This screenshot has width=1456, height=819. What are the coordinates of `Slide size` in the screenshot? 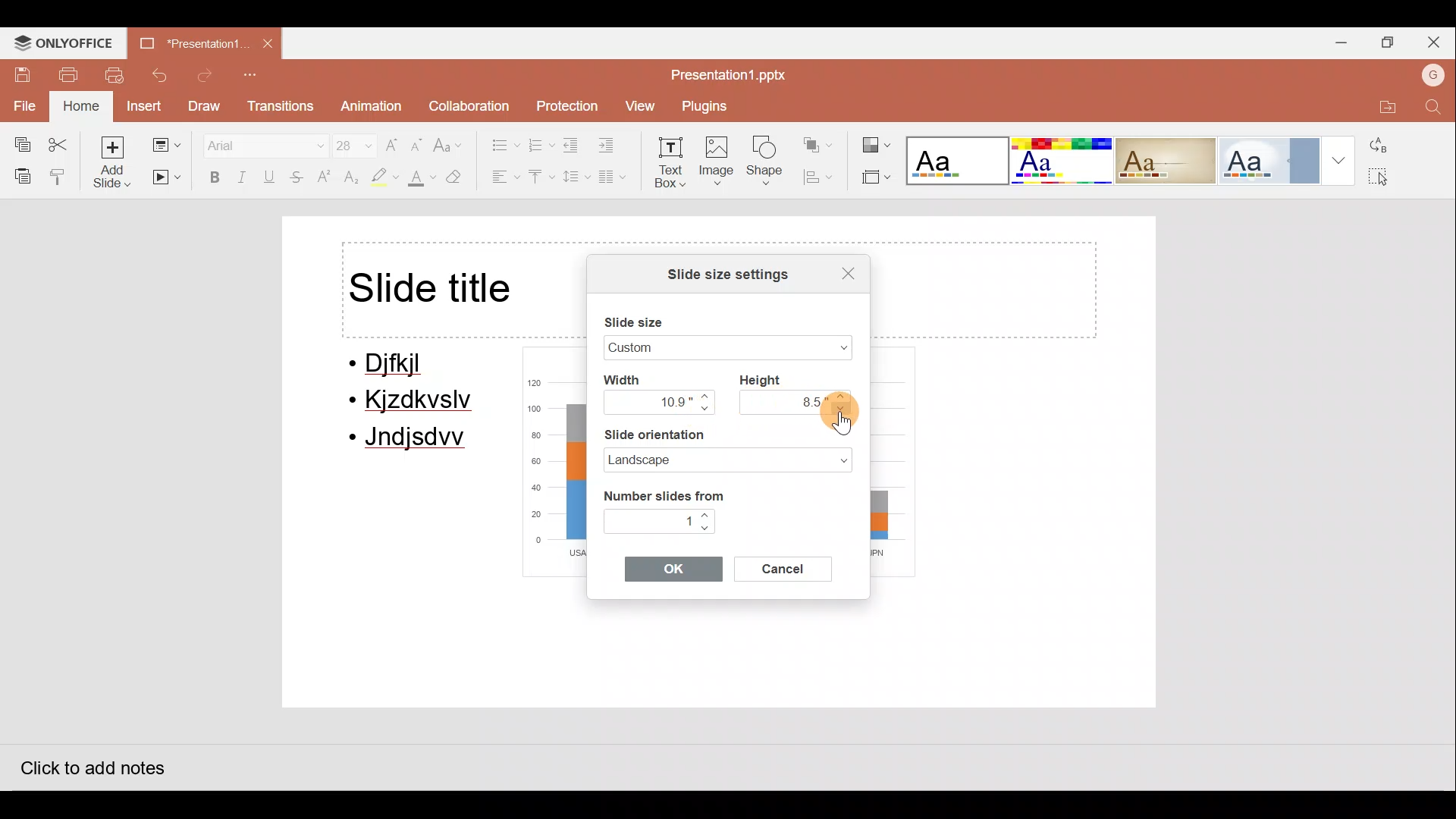 It's located at (645, 318).